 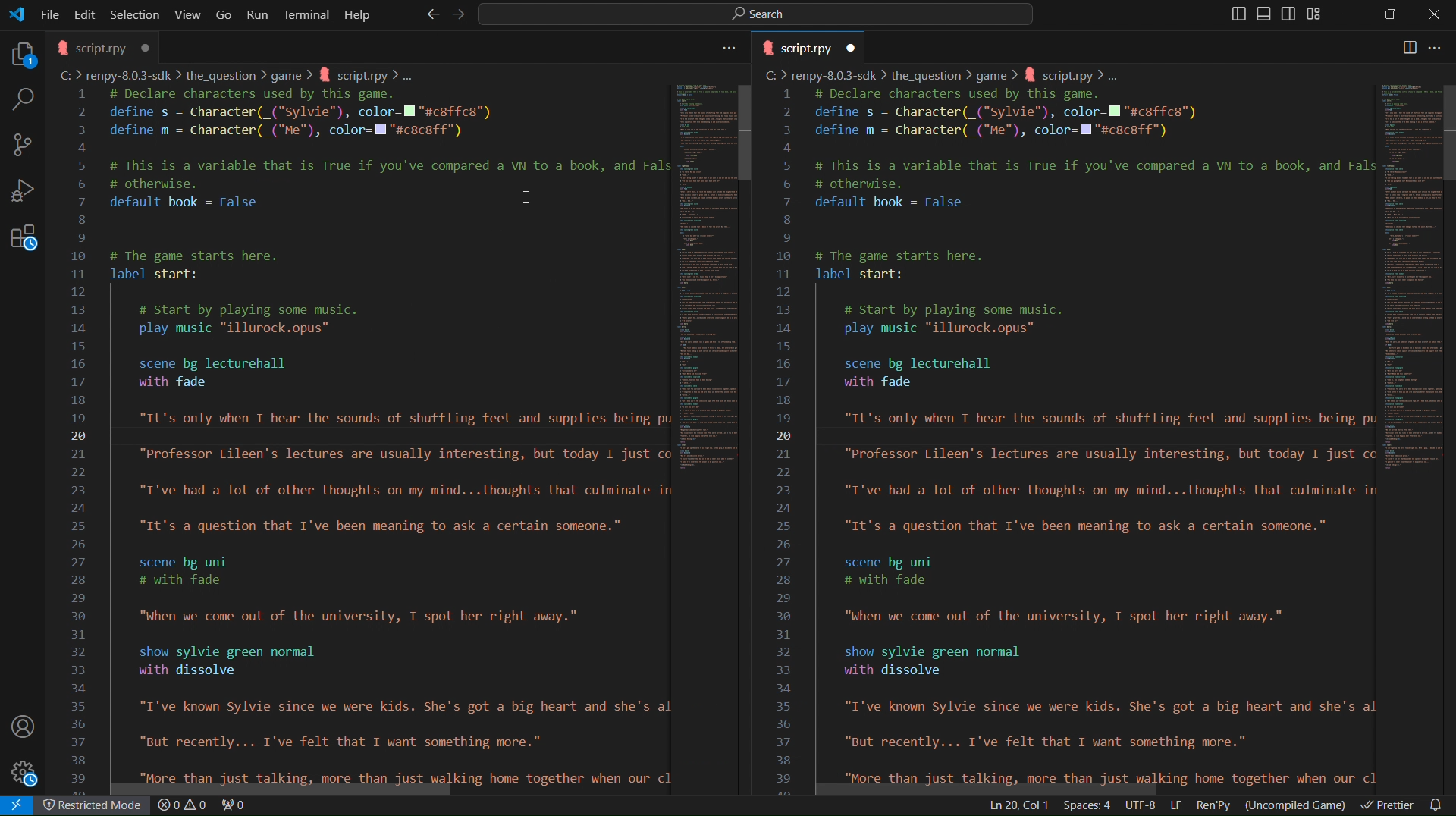 I want to click on Scrollbar, so click(x=745, y=134).